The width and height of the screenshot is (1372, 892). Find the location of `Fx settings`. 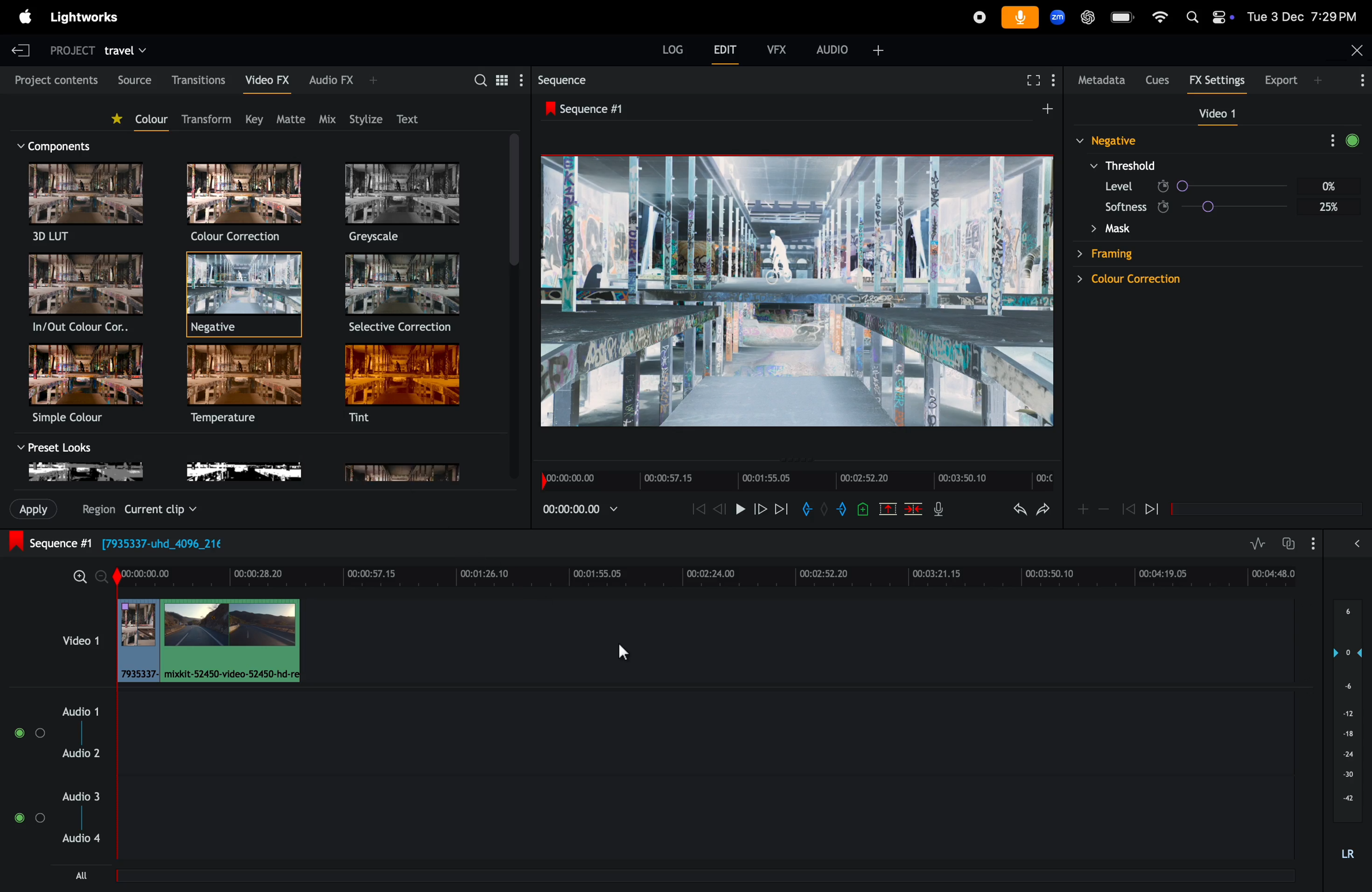

Fx settings is located at coordinates (1220, 80).